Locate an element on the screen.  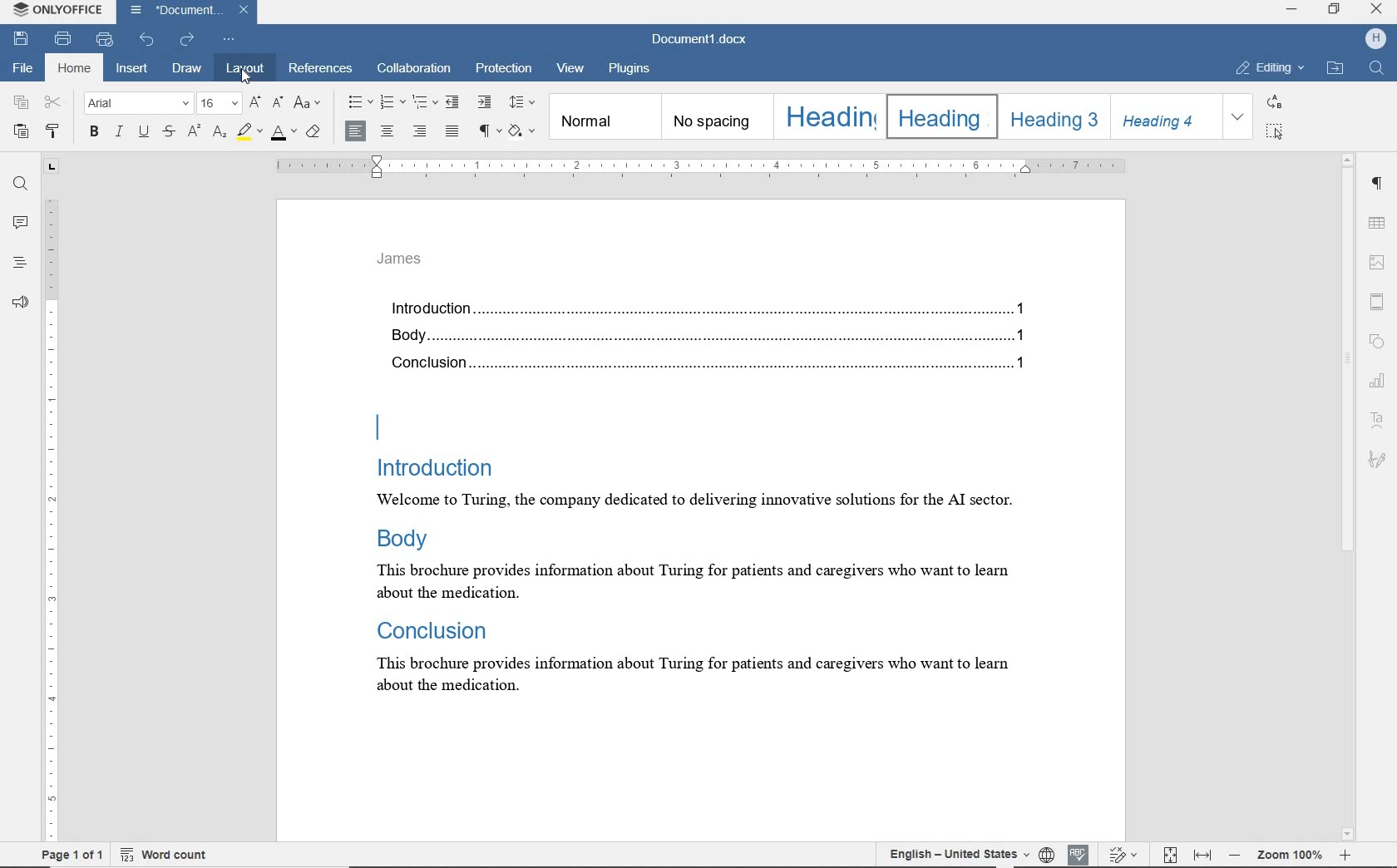
REPLACE is located at coordinates (1276, 104).